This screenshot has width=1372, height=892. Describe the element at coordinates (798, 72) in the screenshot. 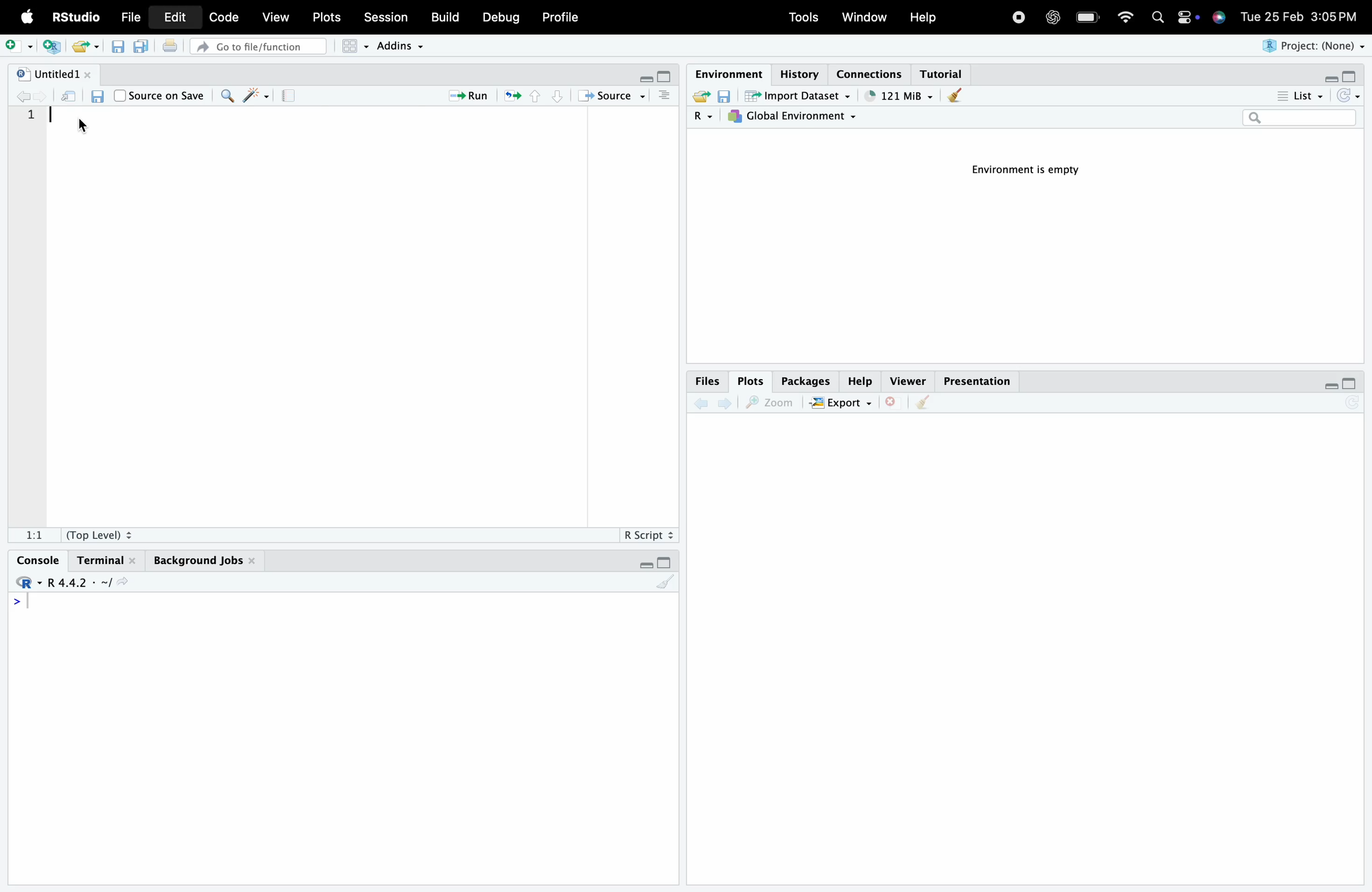

I see `History` at that location.